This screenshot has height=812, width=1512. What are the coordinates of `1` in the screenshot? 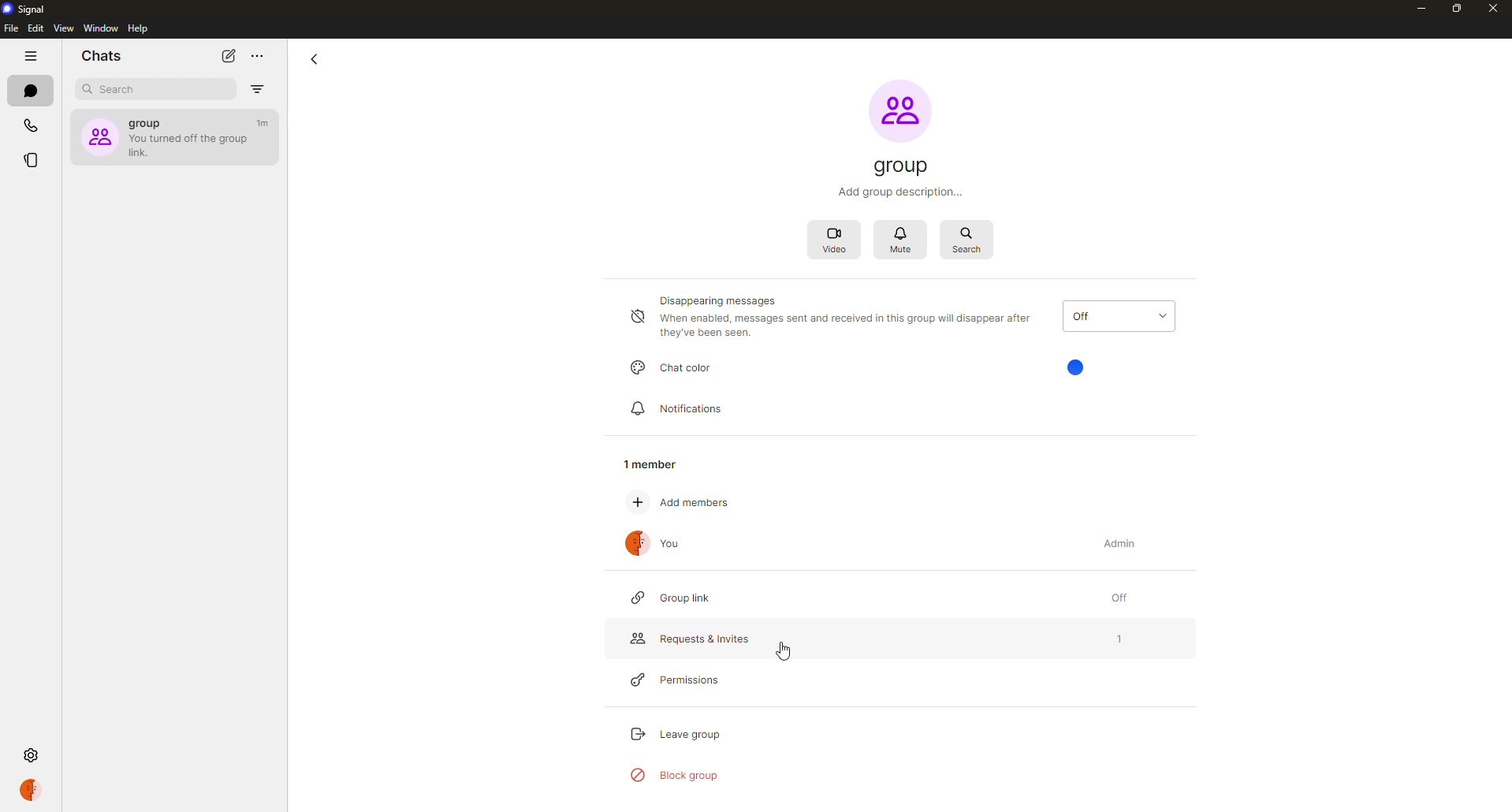 It's located at (1119, 640).